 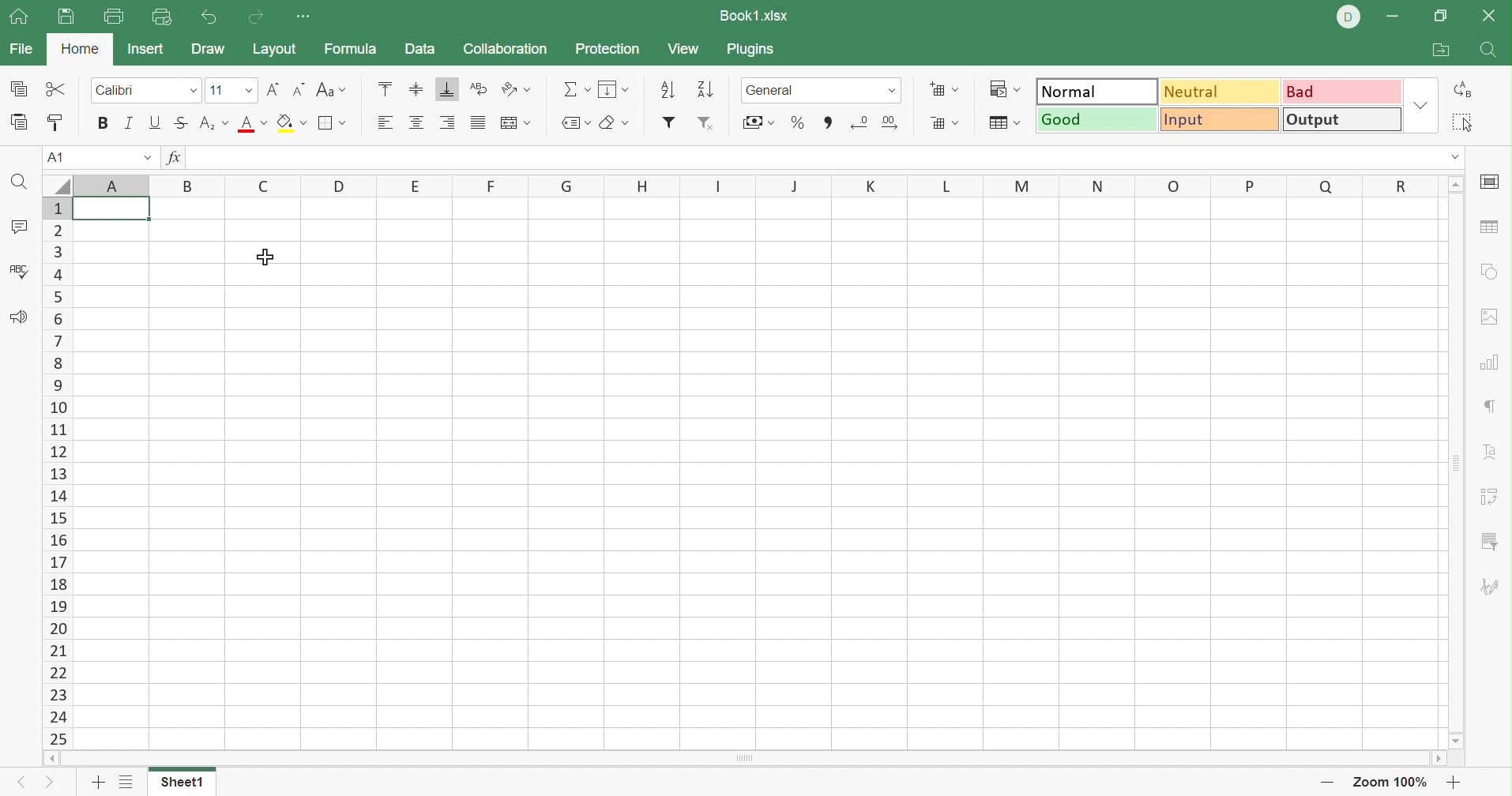 What do you see at coordinates (147, 158) in the screenshot?
I see `Drop down` at bounding box center [147, 158].